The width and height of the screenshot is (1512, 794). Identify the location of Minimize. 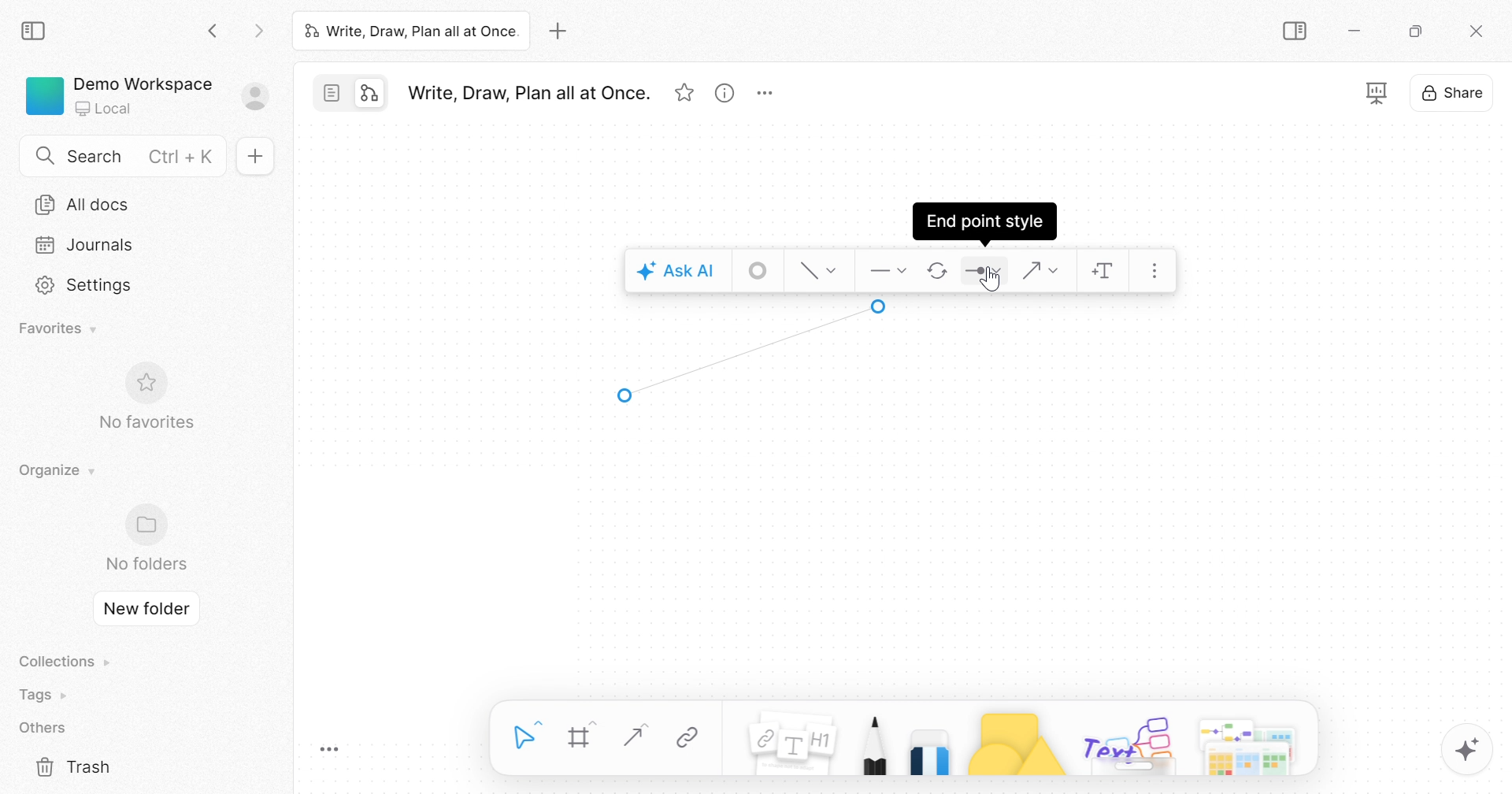
(1359, 34).